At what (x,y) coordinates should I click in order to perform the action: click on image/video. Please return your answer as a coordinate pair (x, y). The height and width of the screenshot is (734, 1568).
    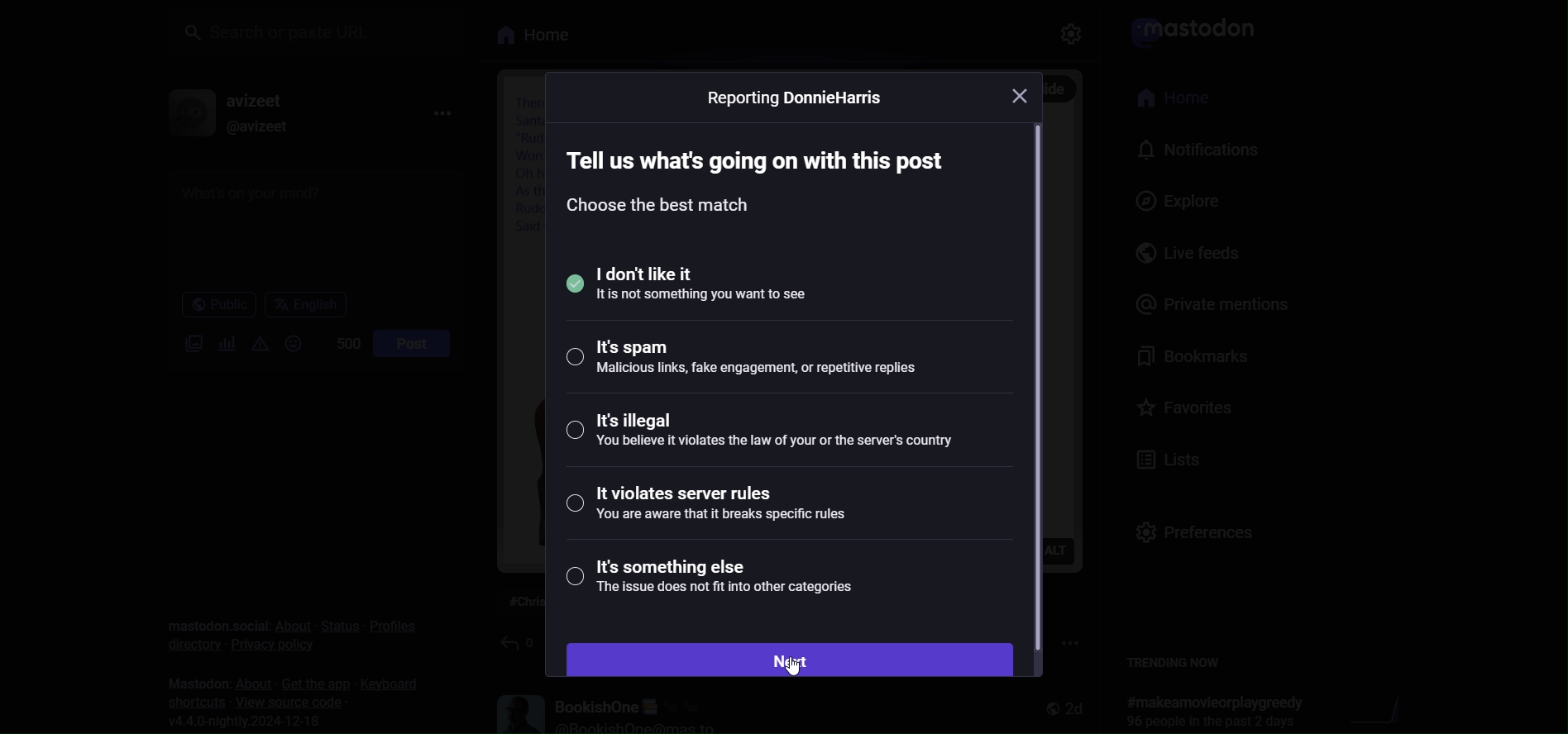
    Looking at the image, I should click on (185, 345).